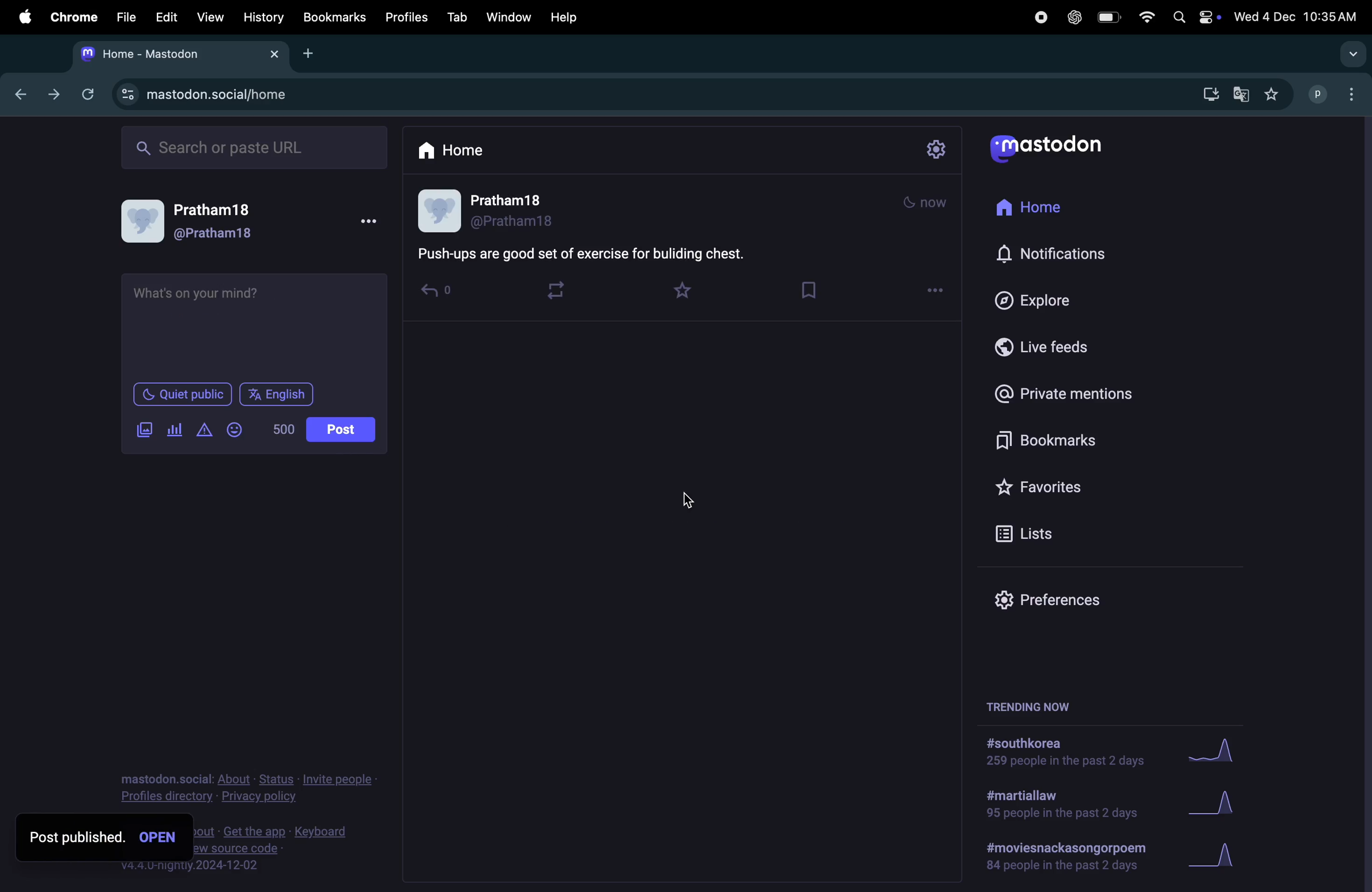  What do you see at coordinates (1030, 298) in the screenshot?
I see `Explore` at bounding box center [1030, 298].